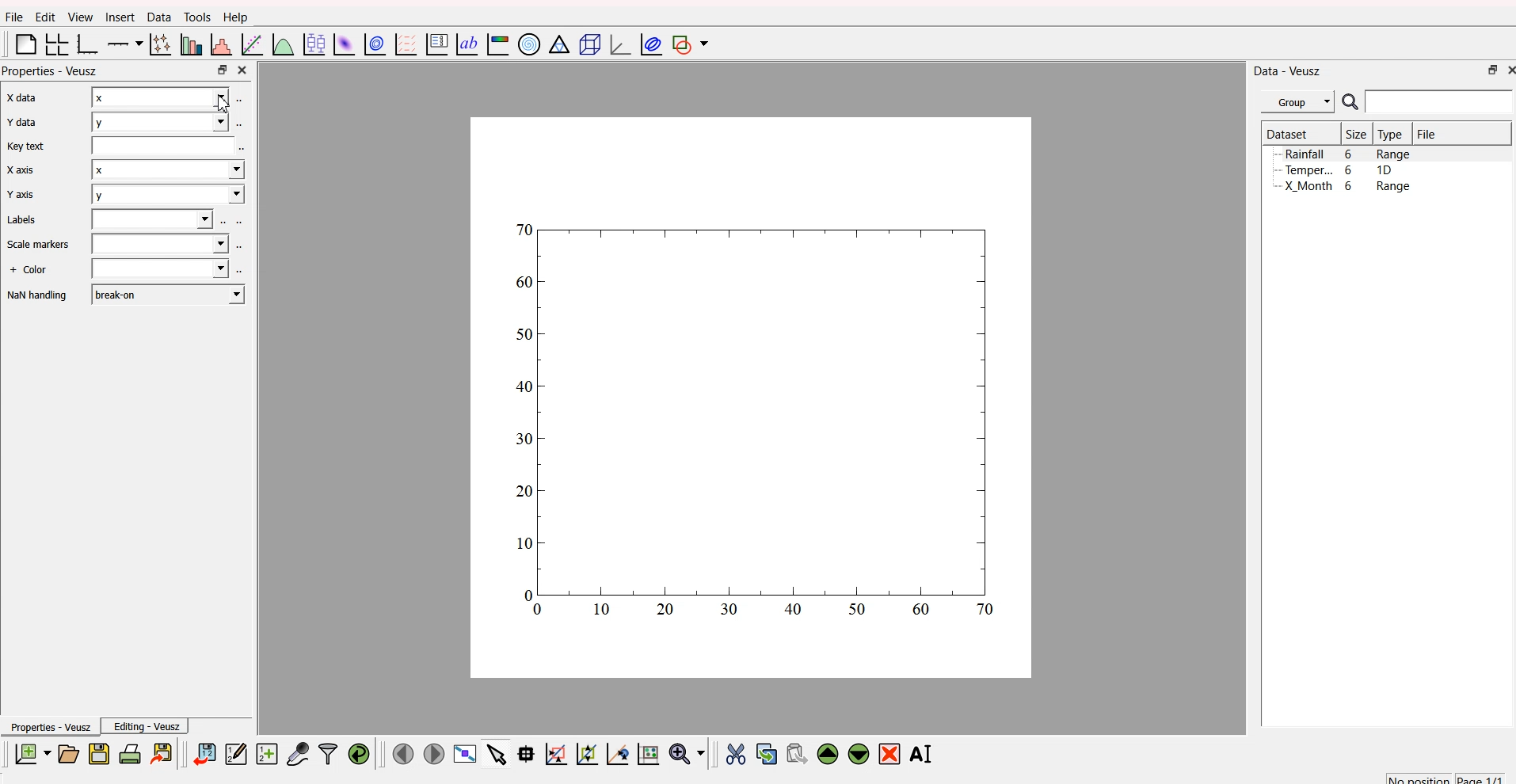 This screenshot has height=784, width=1516. Describe the element at coordinates (148, 726) in the screenshot. I see `Editing - Veusz |` at that location.